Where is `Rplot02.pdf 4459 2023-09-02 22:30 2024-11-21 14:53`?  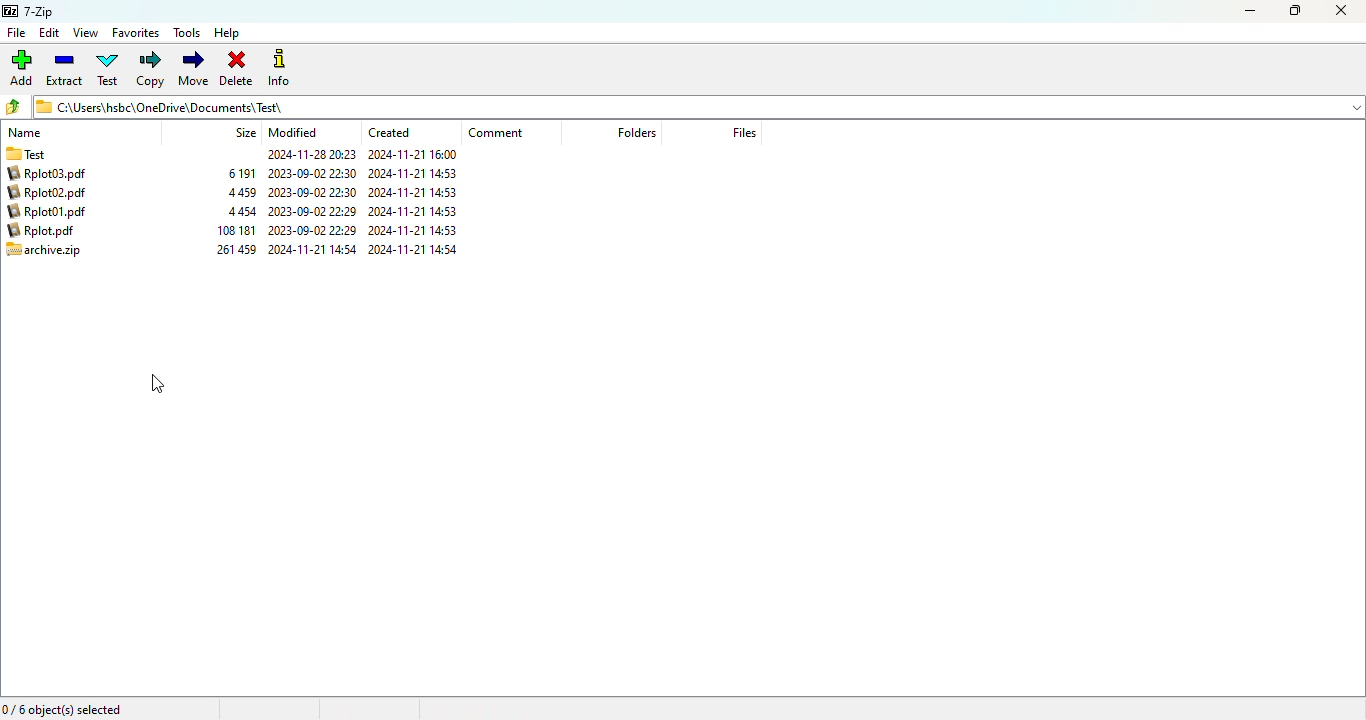
Rplot02.pdf 4459 2023-09-02 22:30 2024-11-21 14:53 is located at coordinates (53, 212).